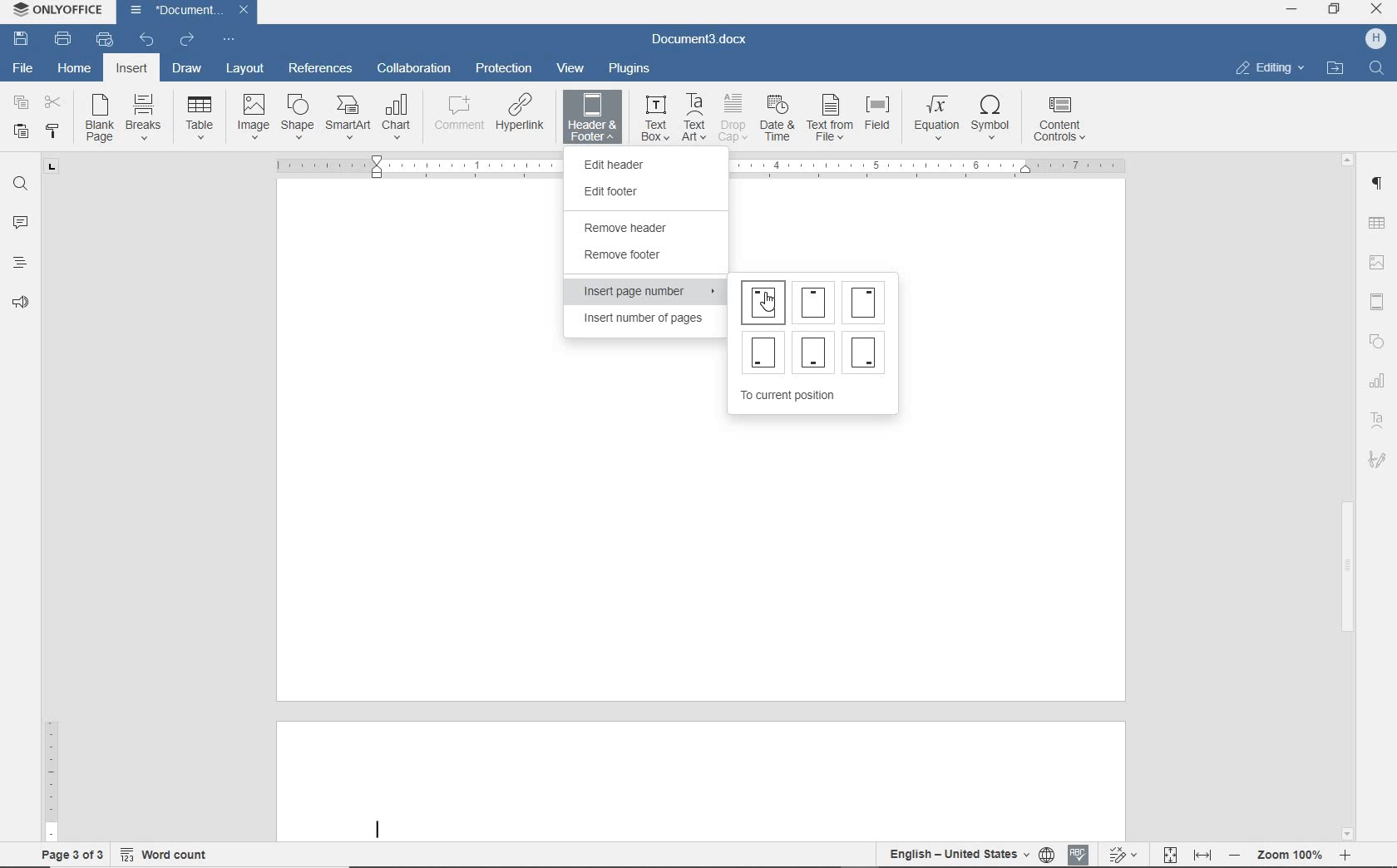 The image size is (1397, 868). What do you see at coordinates (378, 828) in the screenshot?
I see `Text cursor` at bounding box center [378, 828].